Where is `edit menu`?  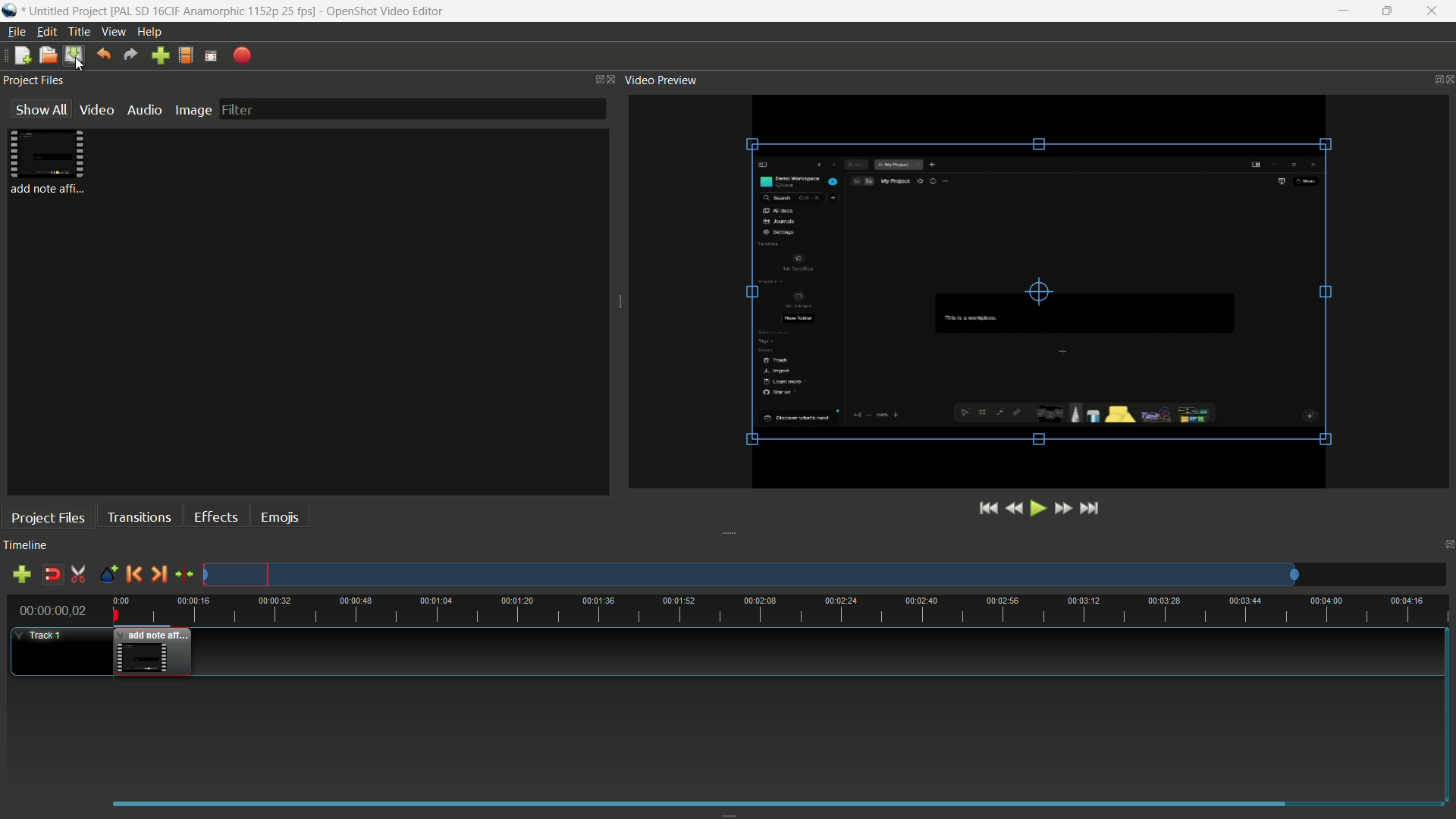 edit menu is located at coordinates (46, 31).